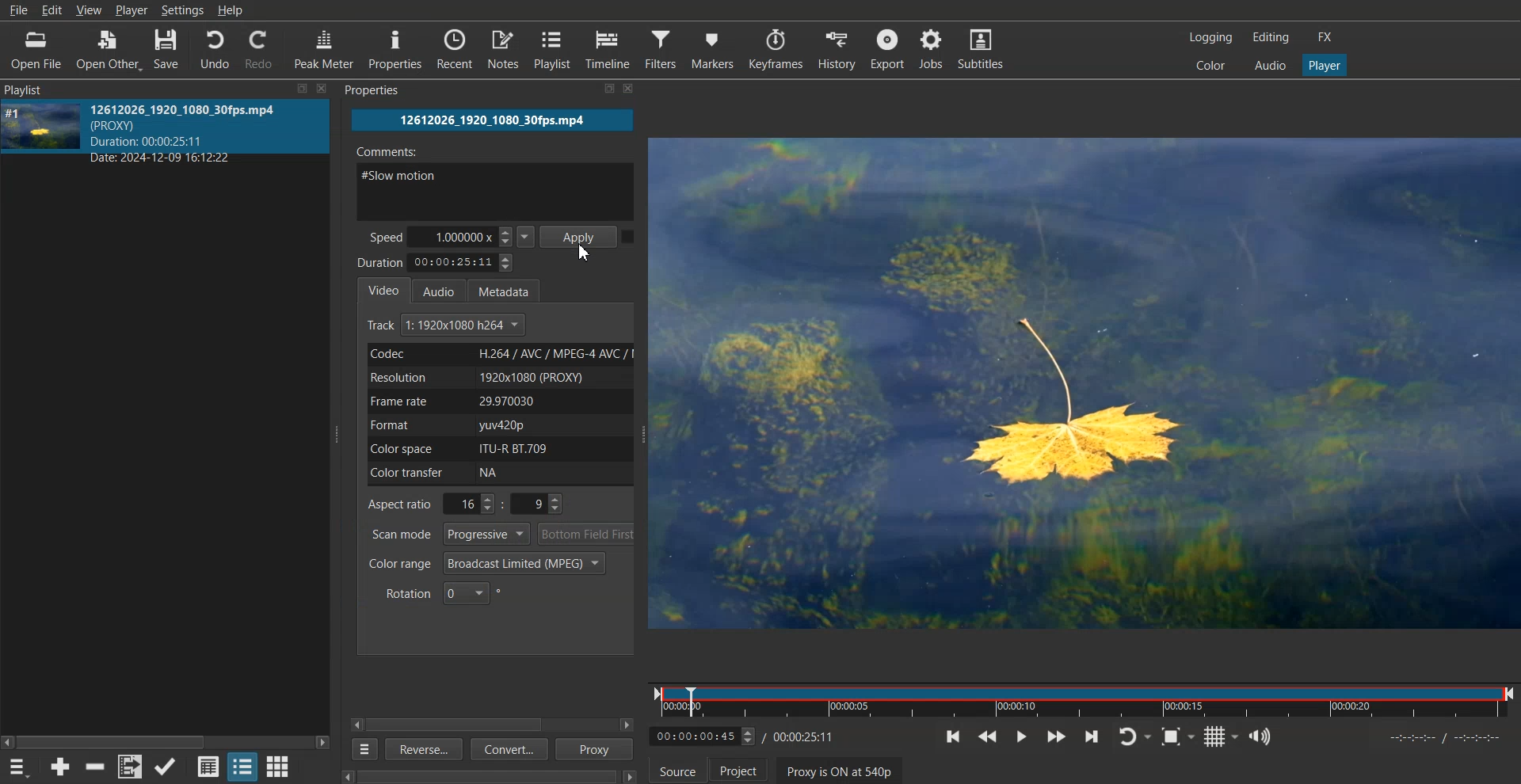 This screenshot has height=784, width=1521. Describe the element at coordinates (384, 289) in the screenshot. I see `Video` at that location.